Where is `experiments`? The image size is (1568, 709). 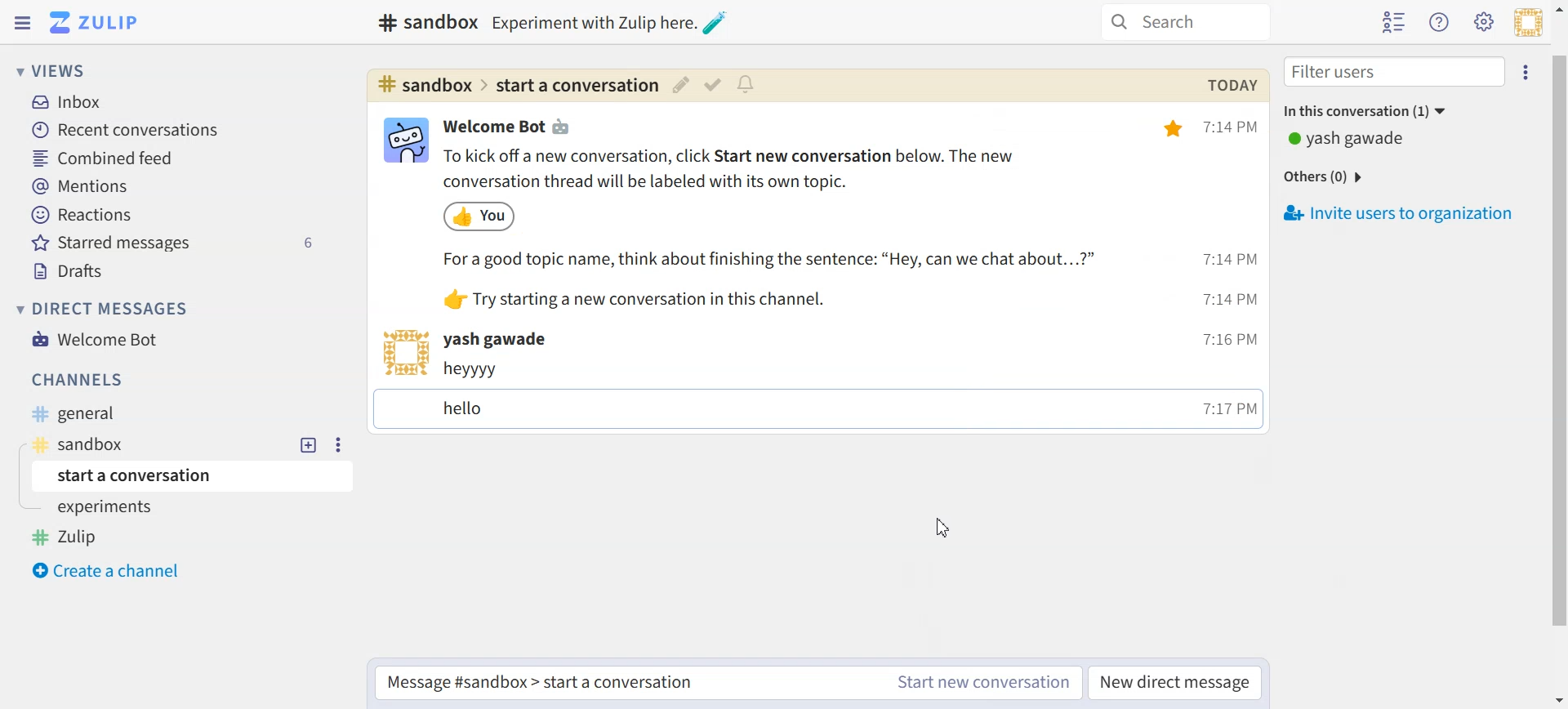 experiments is located at coordinates (109, 509).